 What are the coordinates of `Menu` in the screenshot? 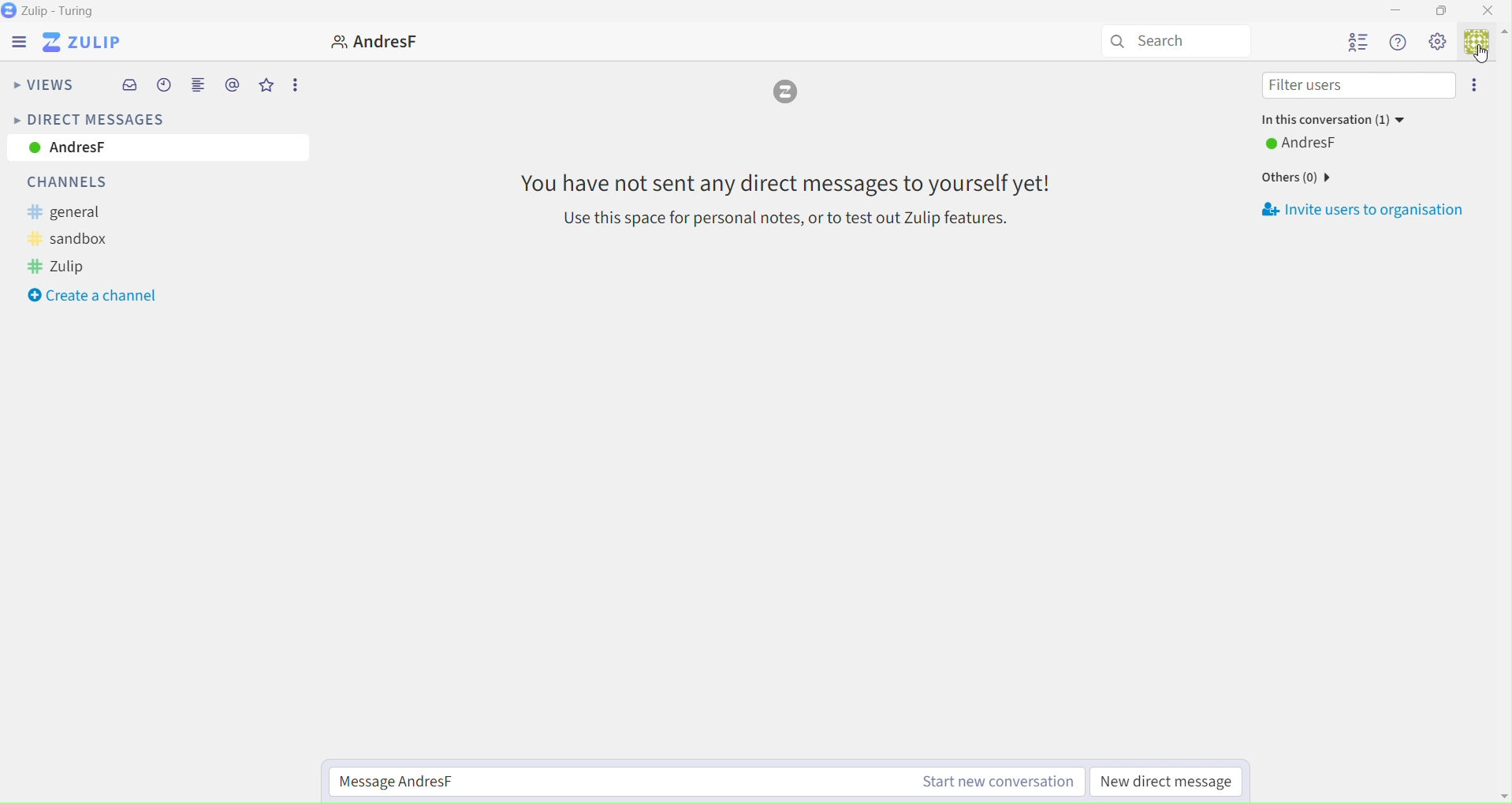 It's located at (15, 42).